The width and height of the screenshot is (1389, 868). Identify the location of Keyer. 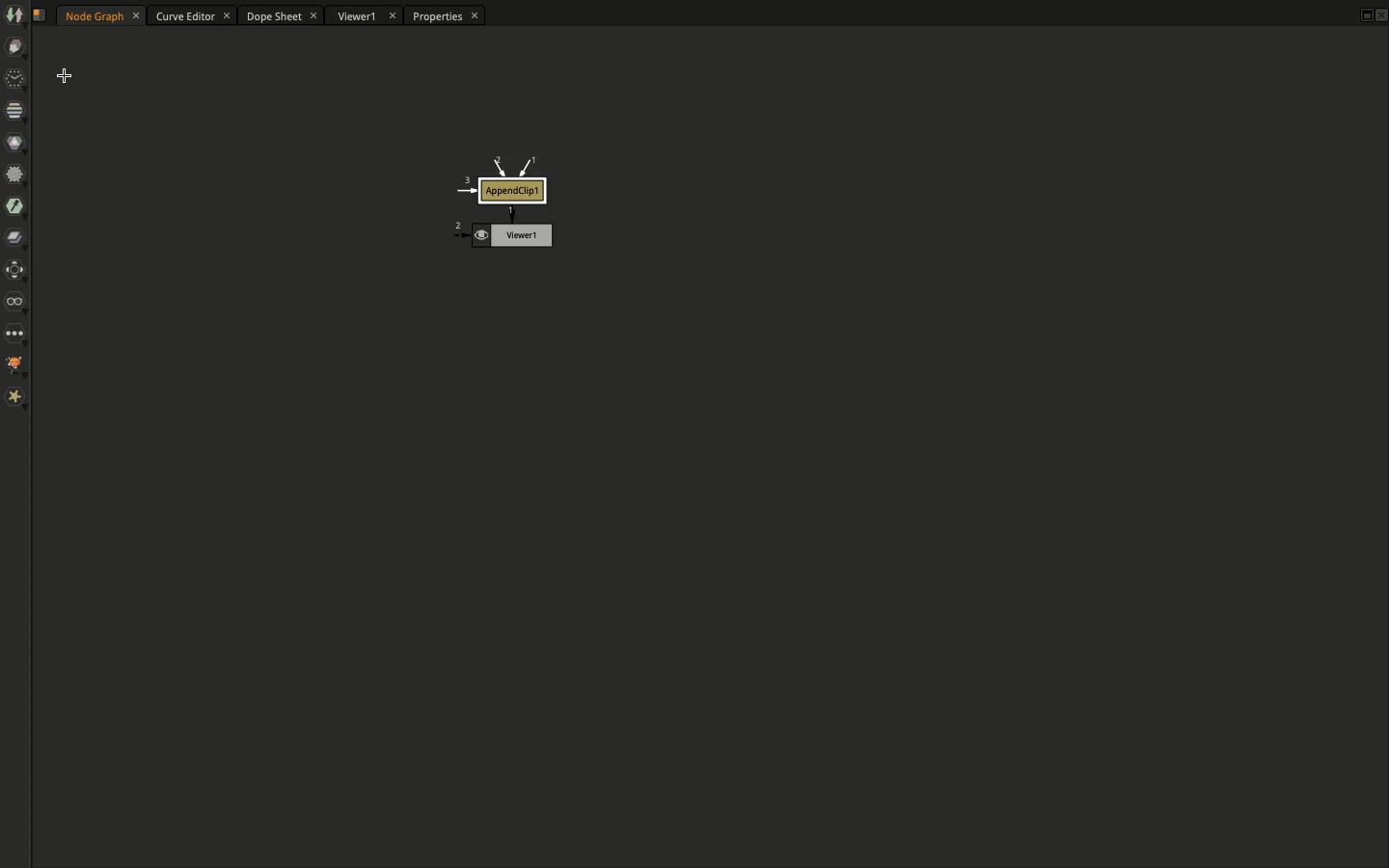
(15, 208).